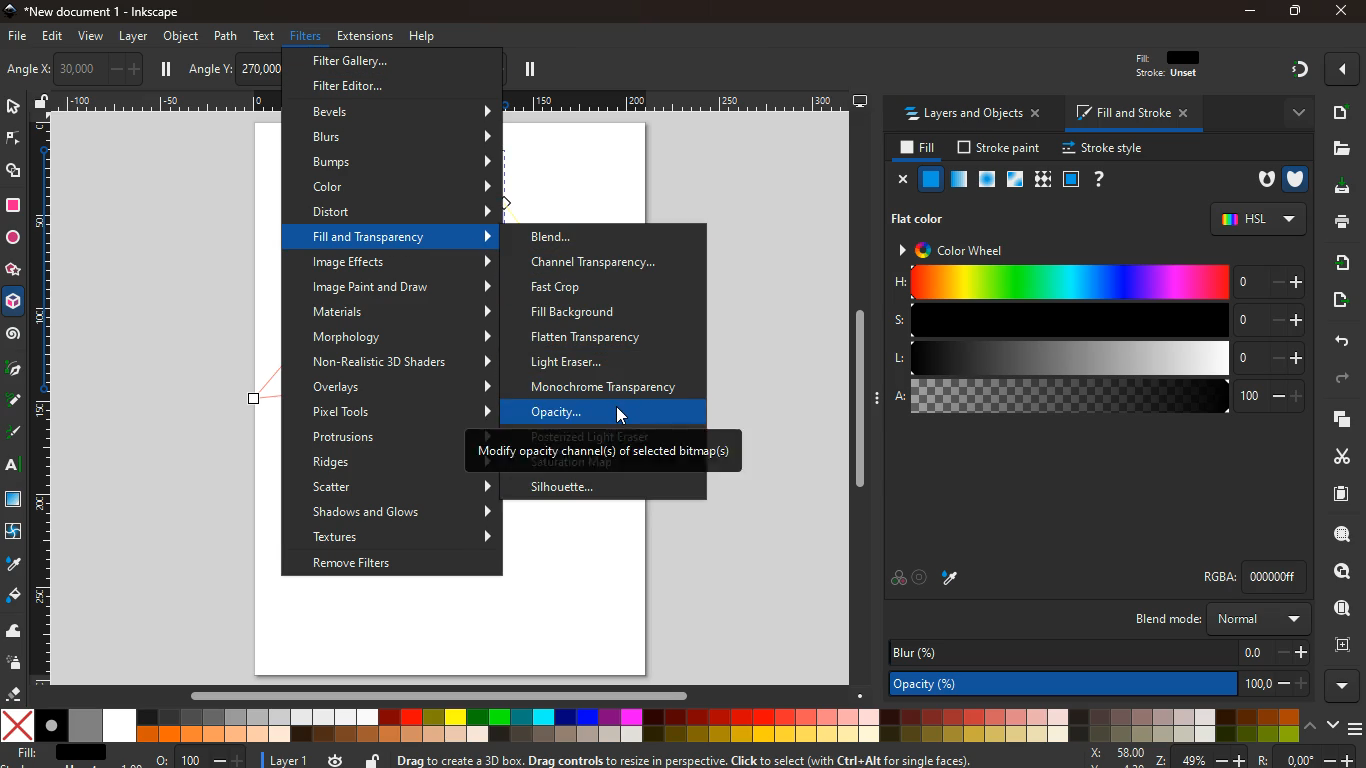 The width and height of the screenshot is (1366, 768). Describe the element at coordinates (405, 211) in the screenshot. I see `distort` at that location.